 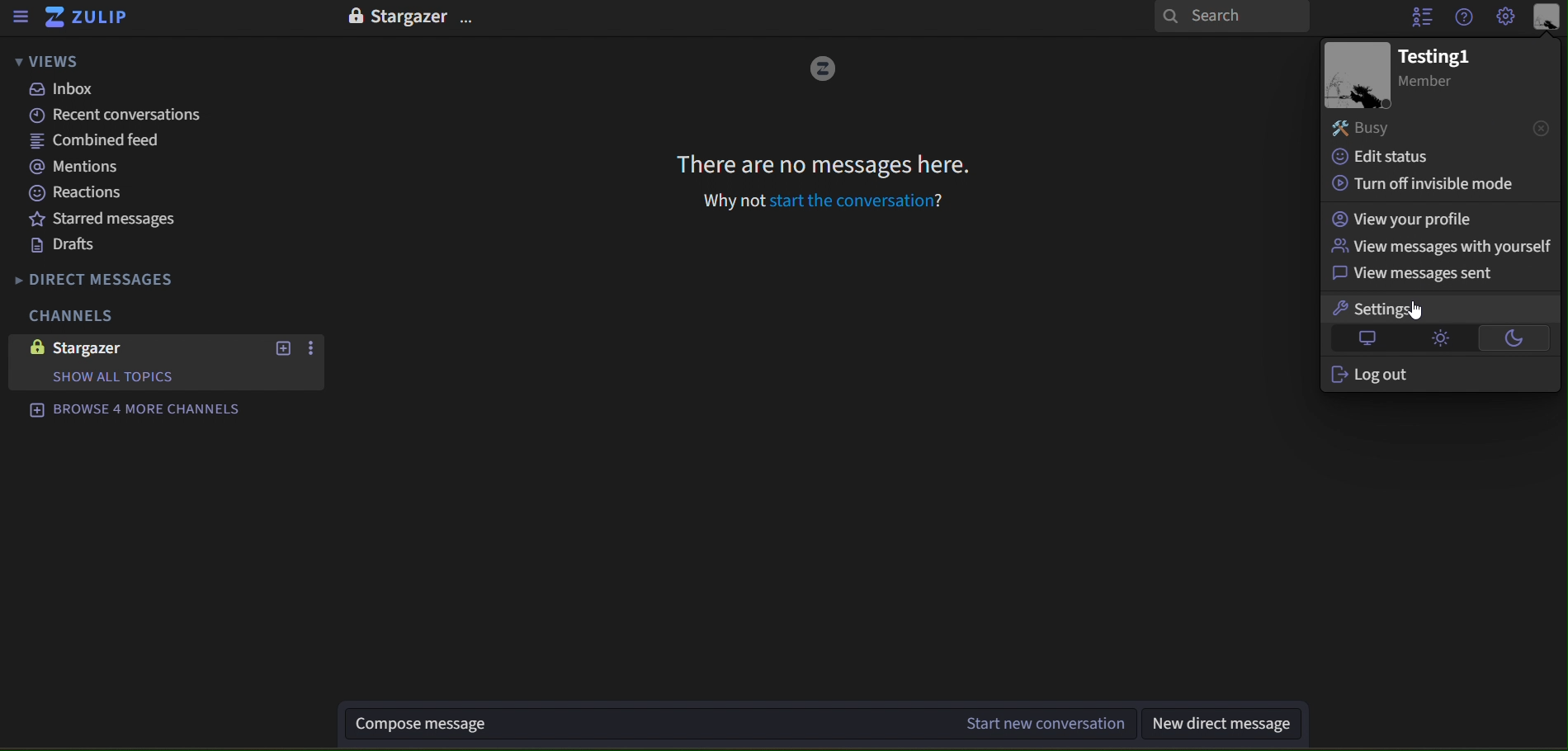 I want to click on zulip, so click(x=93, y=21).